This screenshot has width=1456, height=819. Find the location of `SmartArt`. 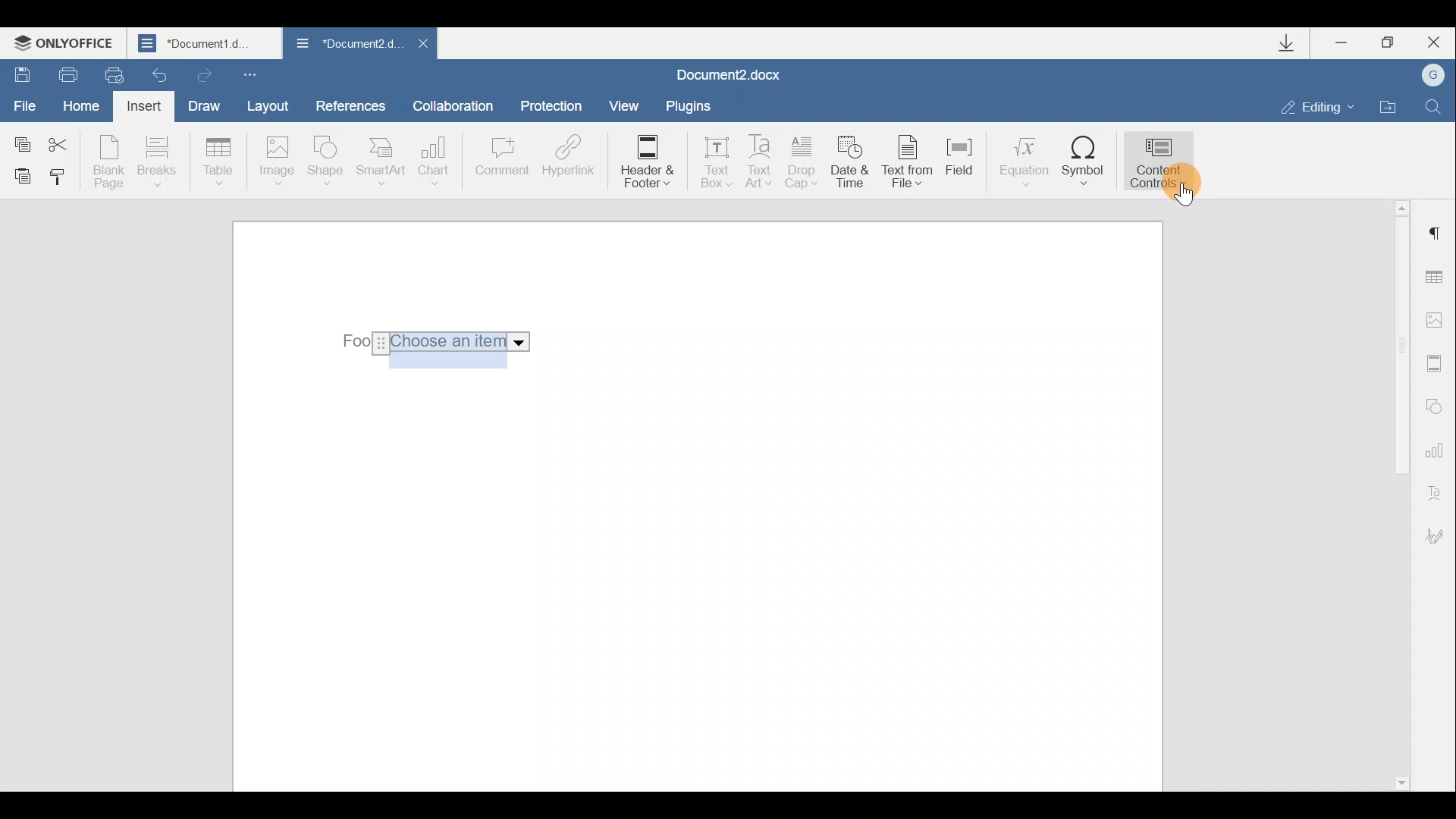

SmartArt is located at coordinates (381, 160).